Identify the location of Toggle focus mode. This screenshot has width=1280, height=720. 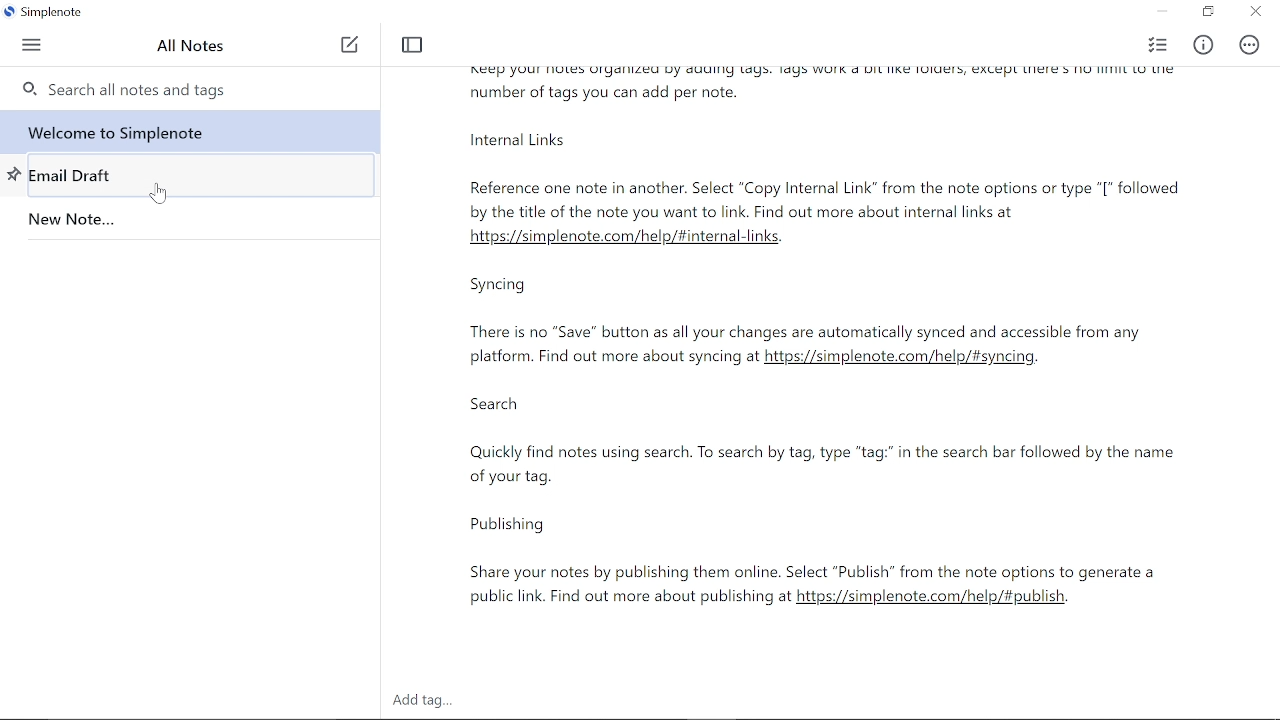
(412, 44).